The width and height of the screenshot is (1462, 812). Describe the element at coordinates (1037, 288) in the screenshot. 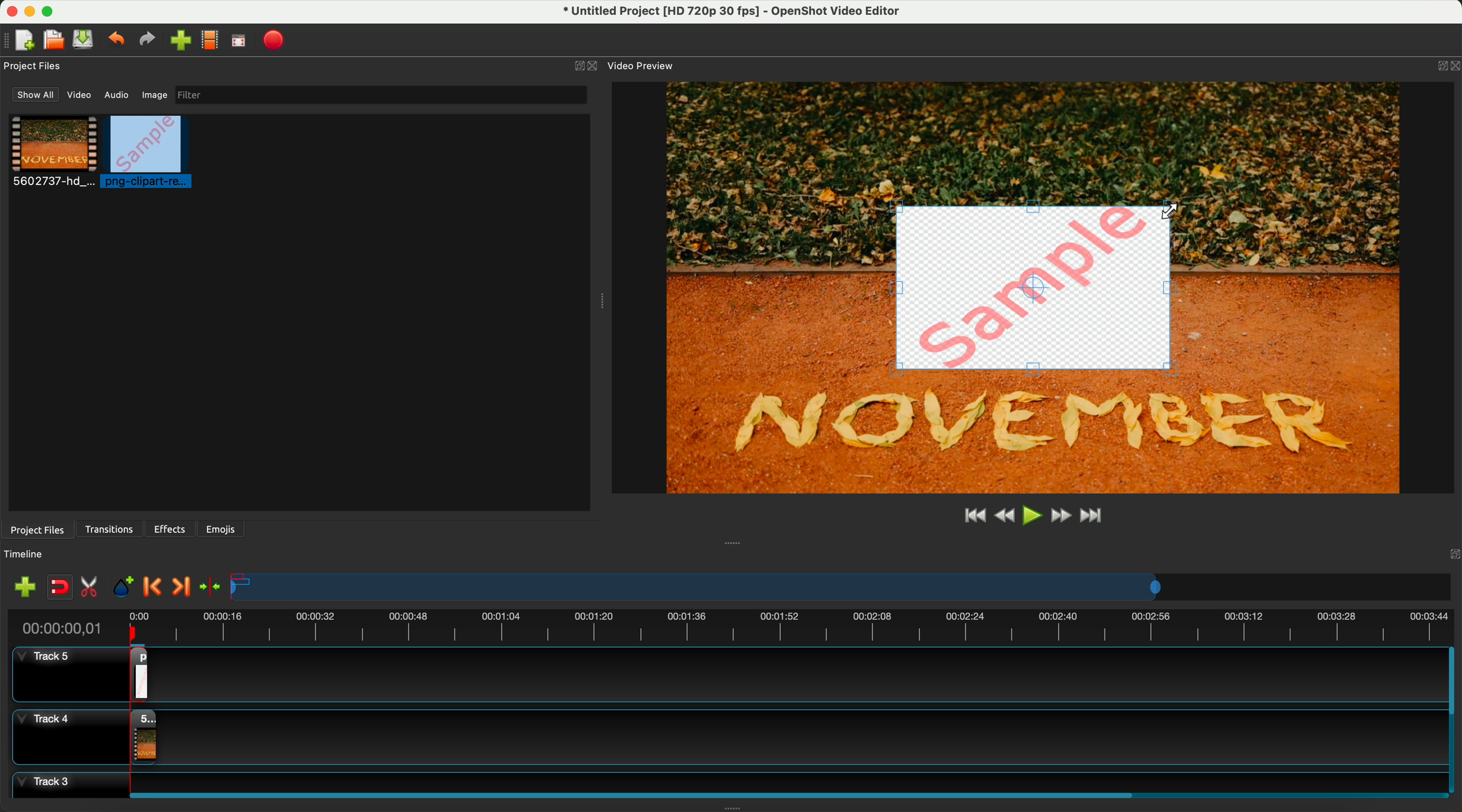

I see `drag image to reduce` at that location.